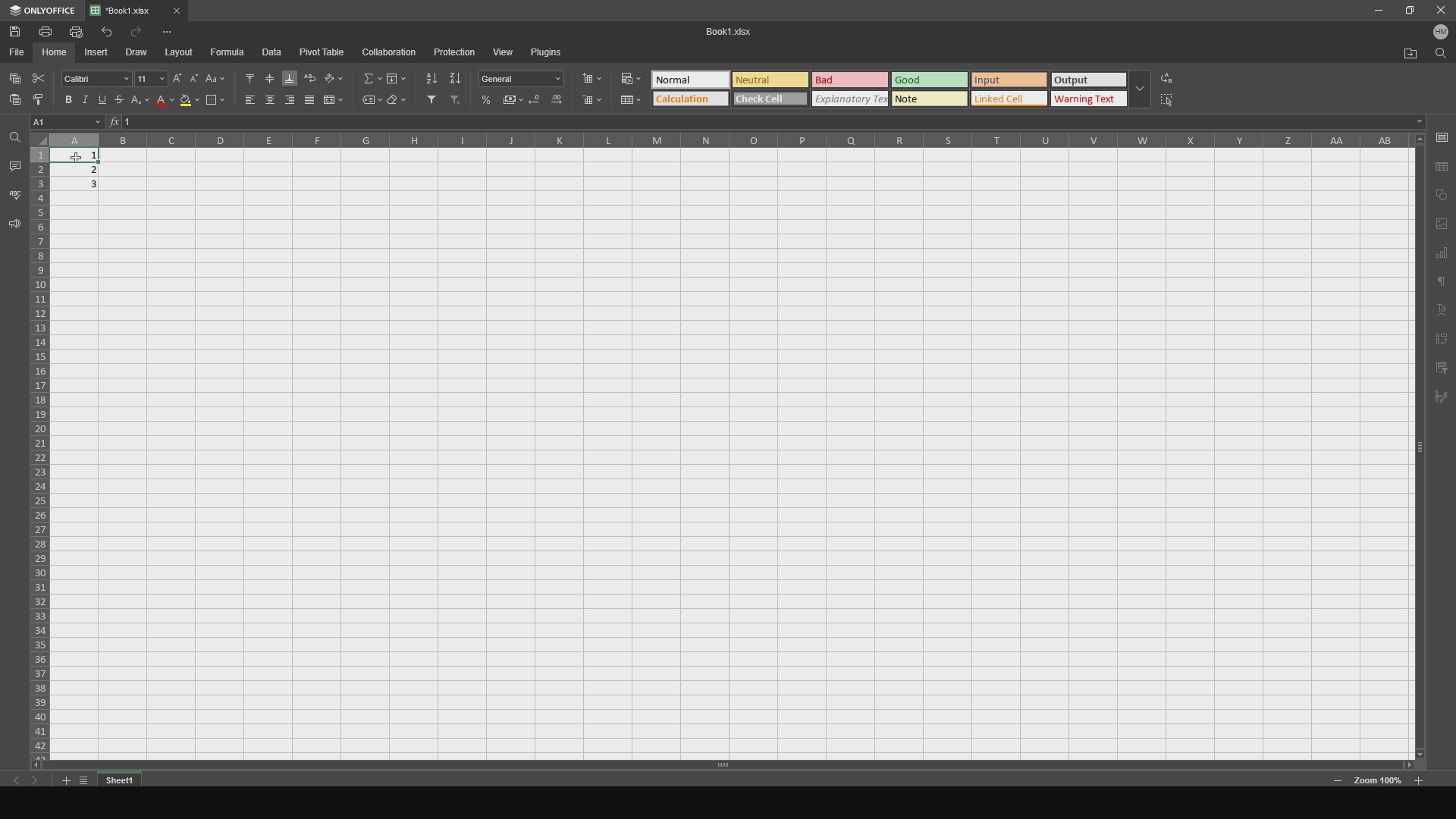 The width and height of the screenshot is (1456, 819). I want to click on file, so click(18, 52).